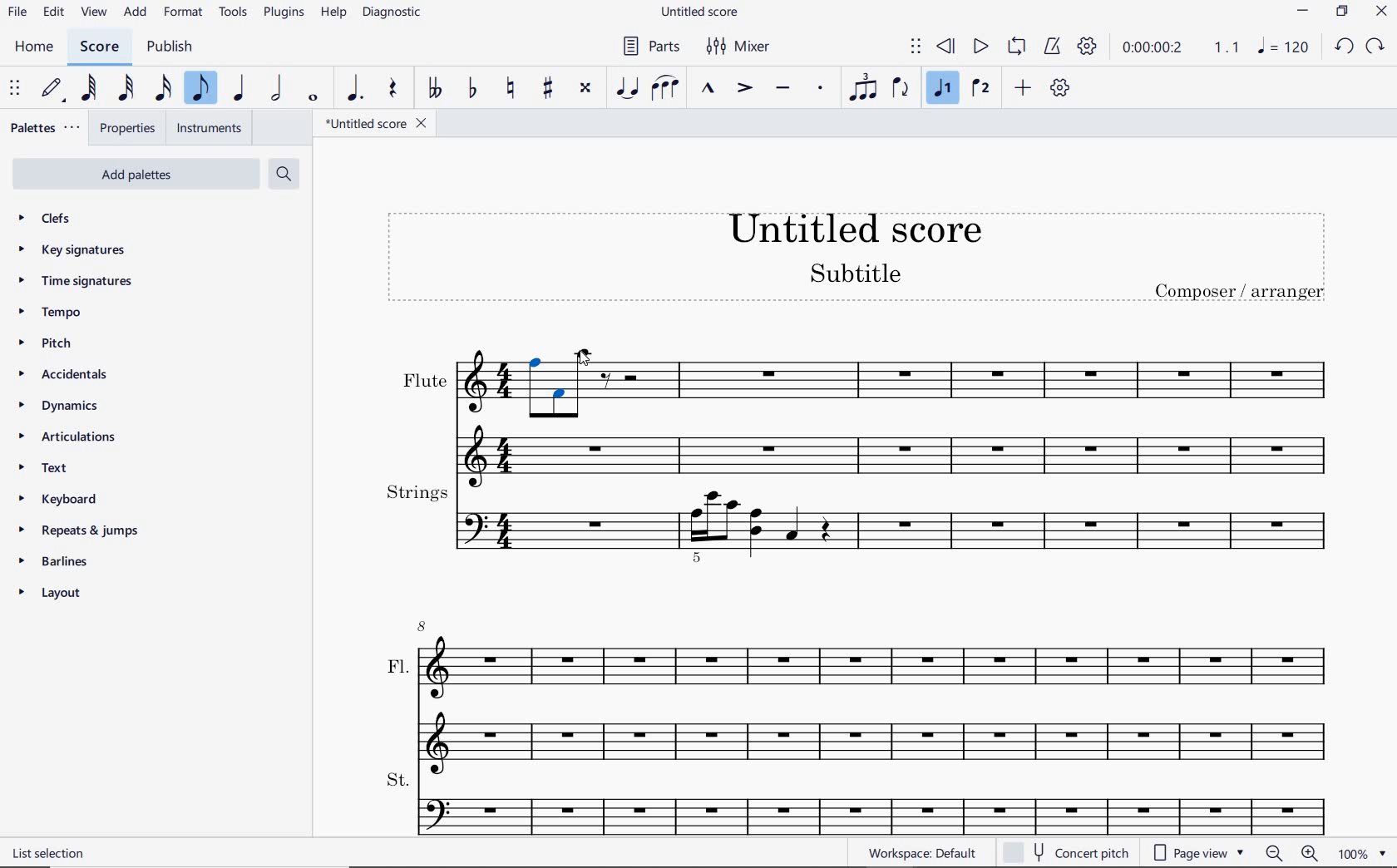 The image size is (1397, 868). I want to click on dynamics, so click(58, 407).